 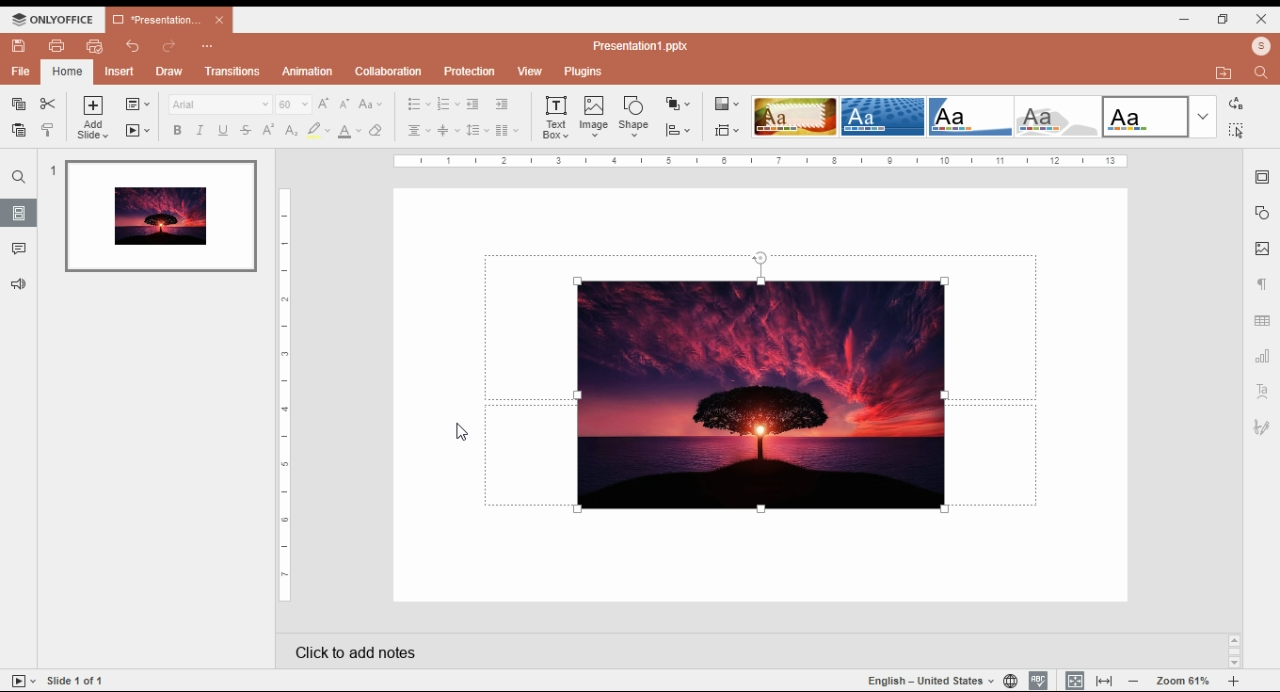 I want to click on underline, so click(x=223, y=131).